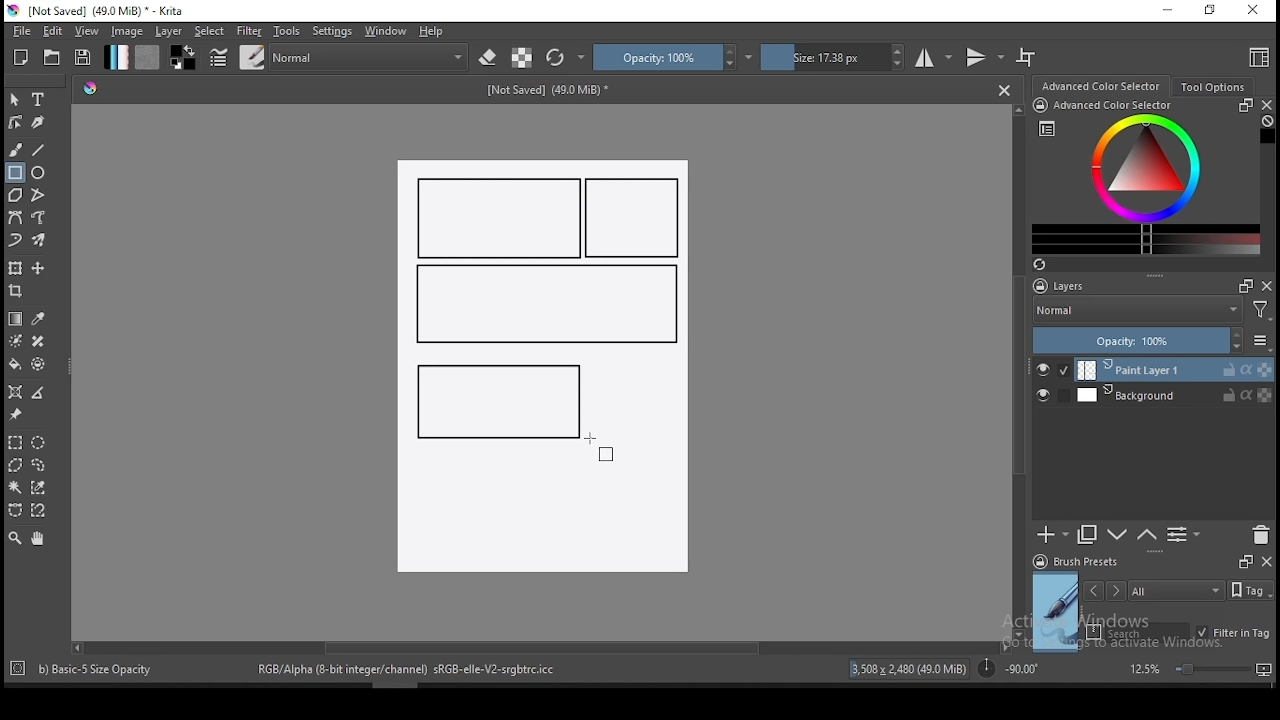 This screenshot has width=1280, height=720. I want to click on scroll bar, so click(1020, 370).